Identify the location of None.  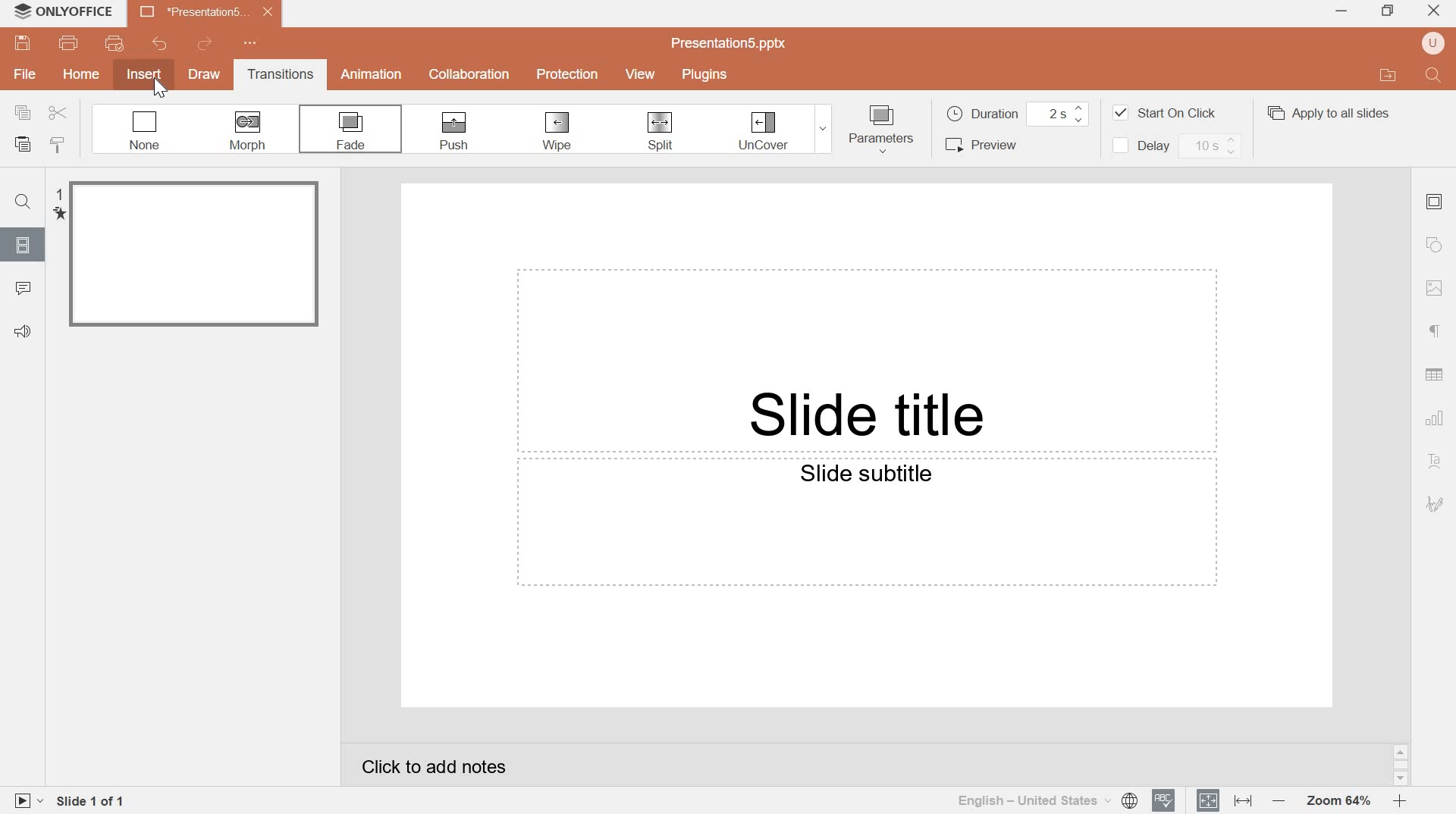
(145, 130).